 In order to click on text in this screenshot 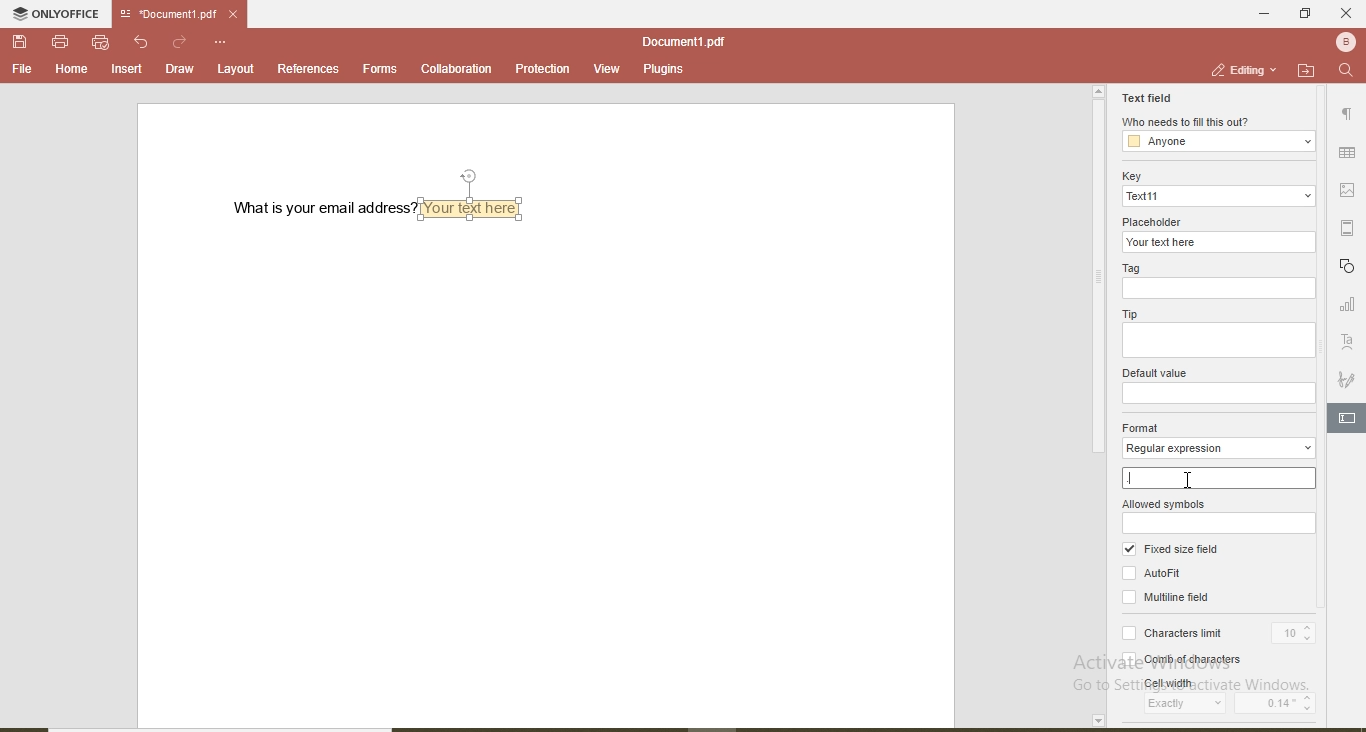, I will do `click(1348, 342)`.